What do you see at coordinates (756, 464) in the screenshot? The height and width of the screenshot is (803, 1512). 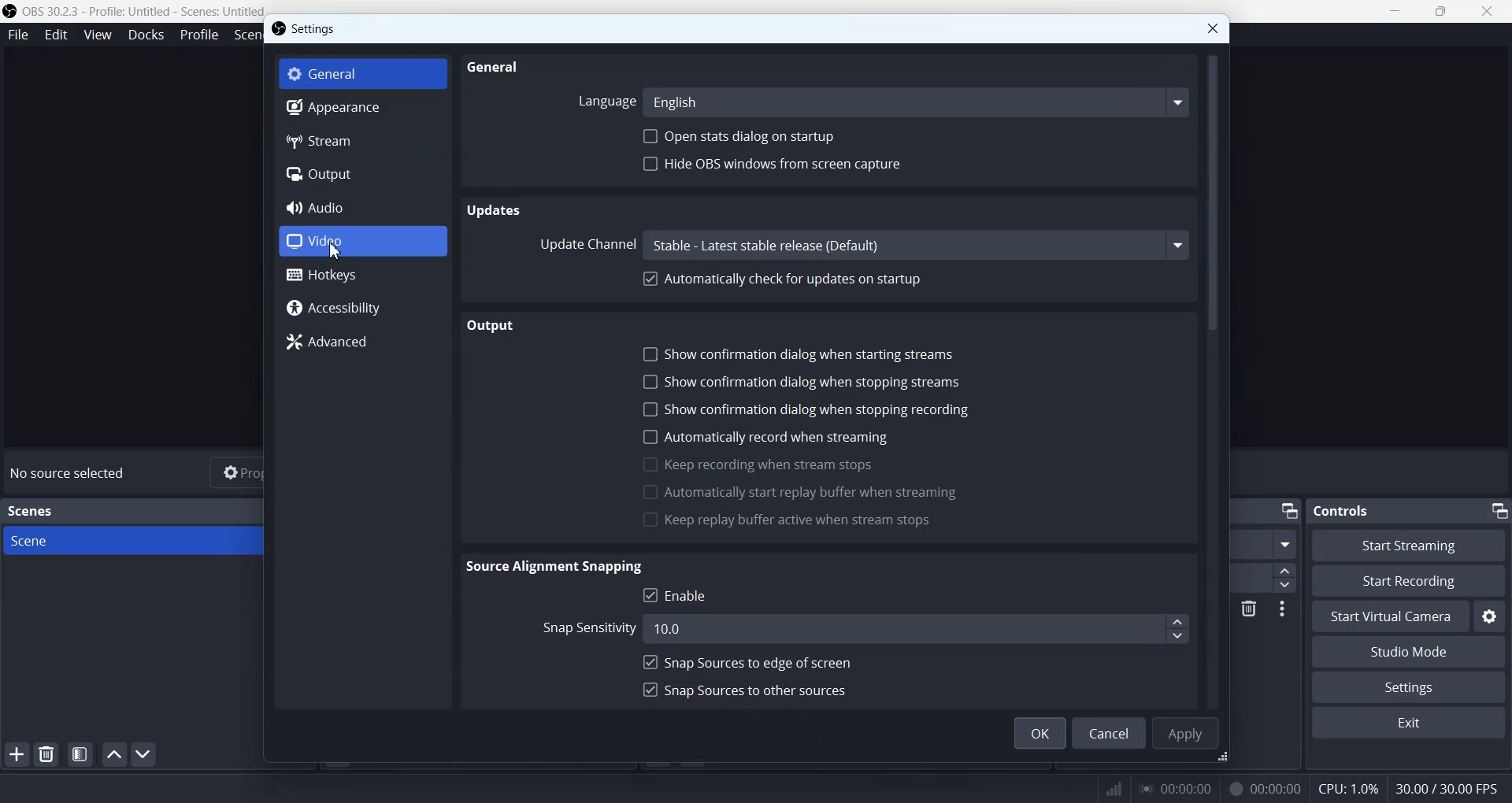 I see `Keep Recording when stream steps` at bounding box center [756, 464].